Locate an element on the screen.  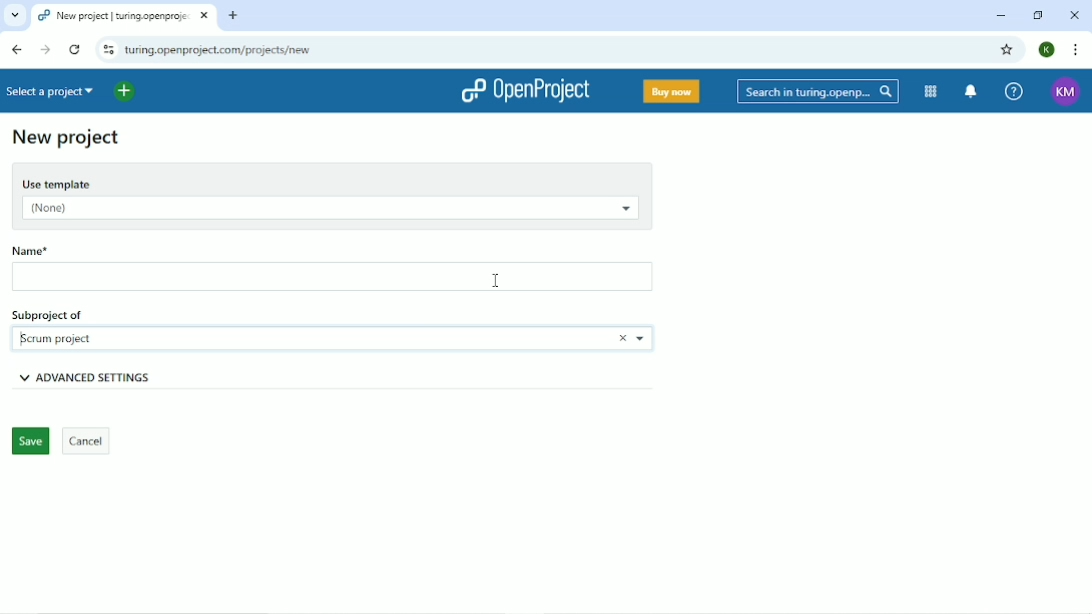
K is located at coordinates (1048, 50).